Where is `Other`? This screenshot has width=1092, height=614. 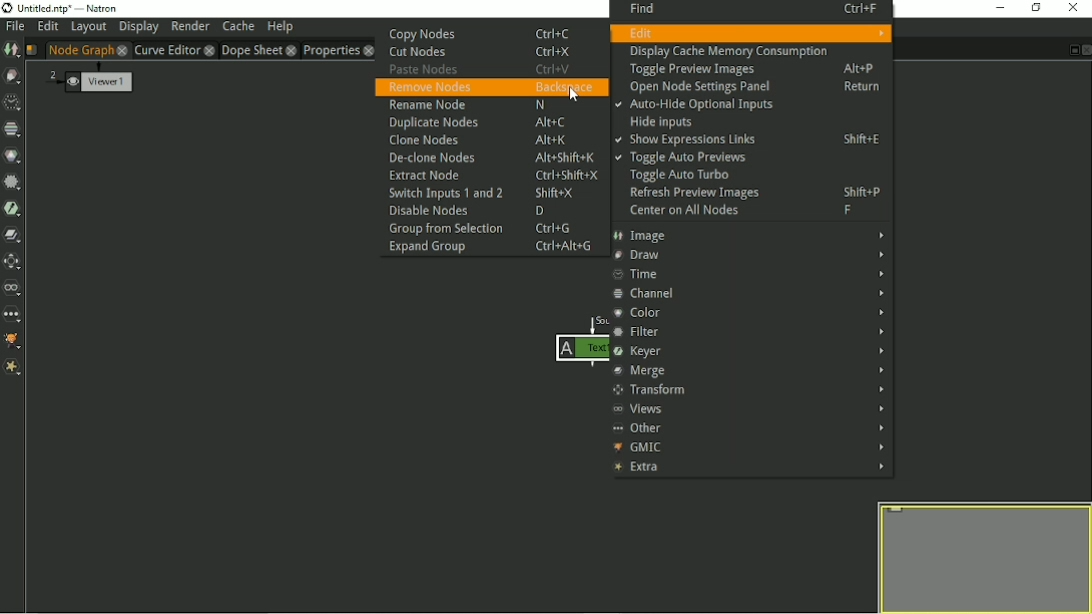 Other is located at coordinates (14, 314).